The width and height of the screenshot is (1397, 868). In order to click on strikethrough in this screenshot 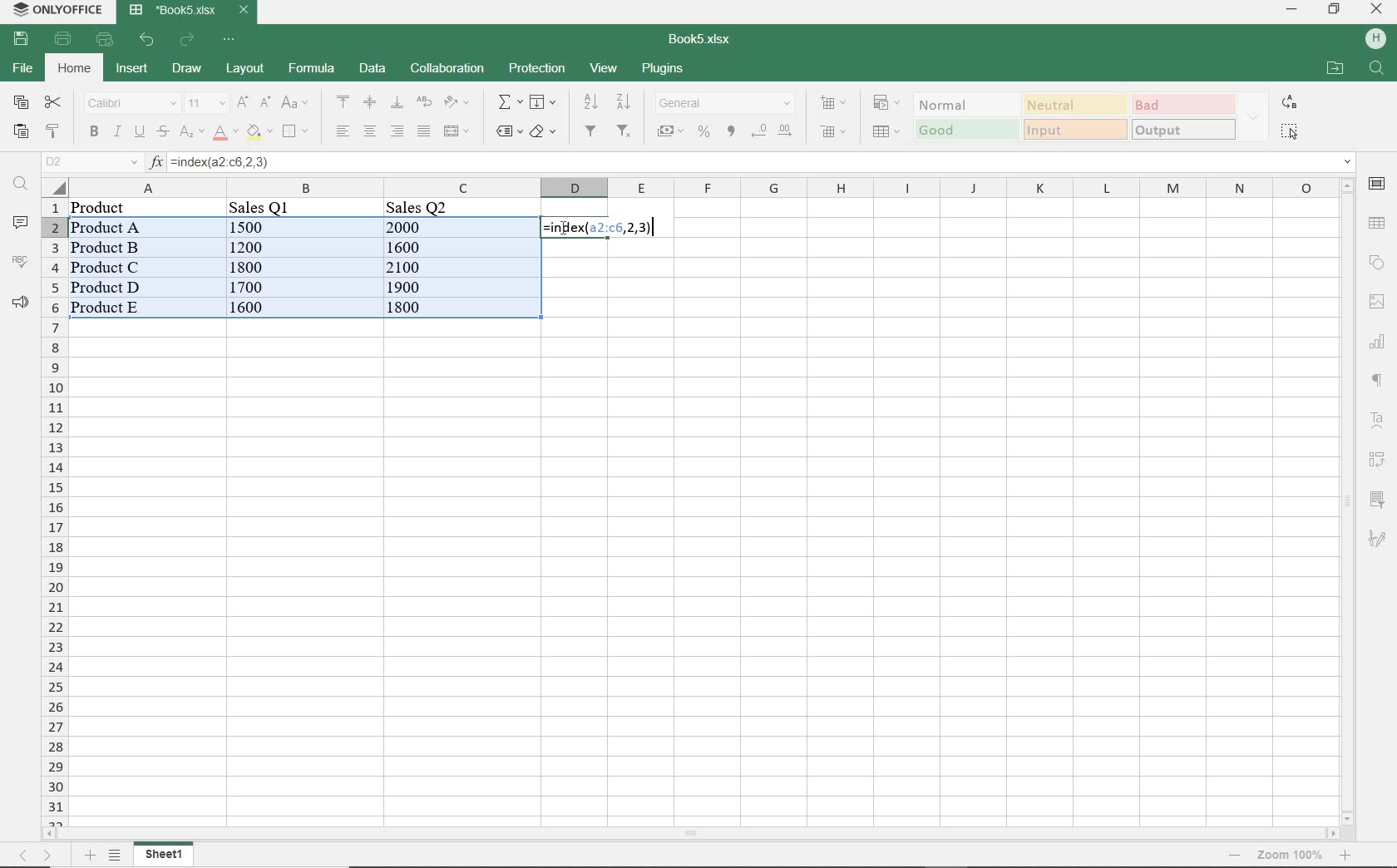, I will do `click(161, 131)`.